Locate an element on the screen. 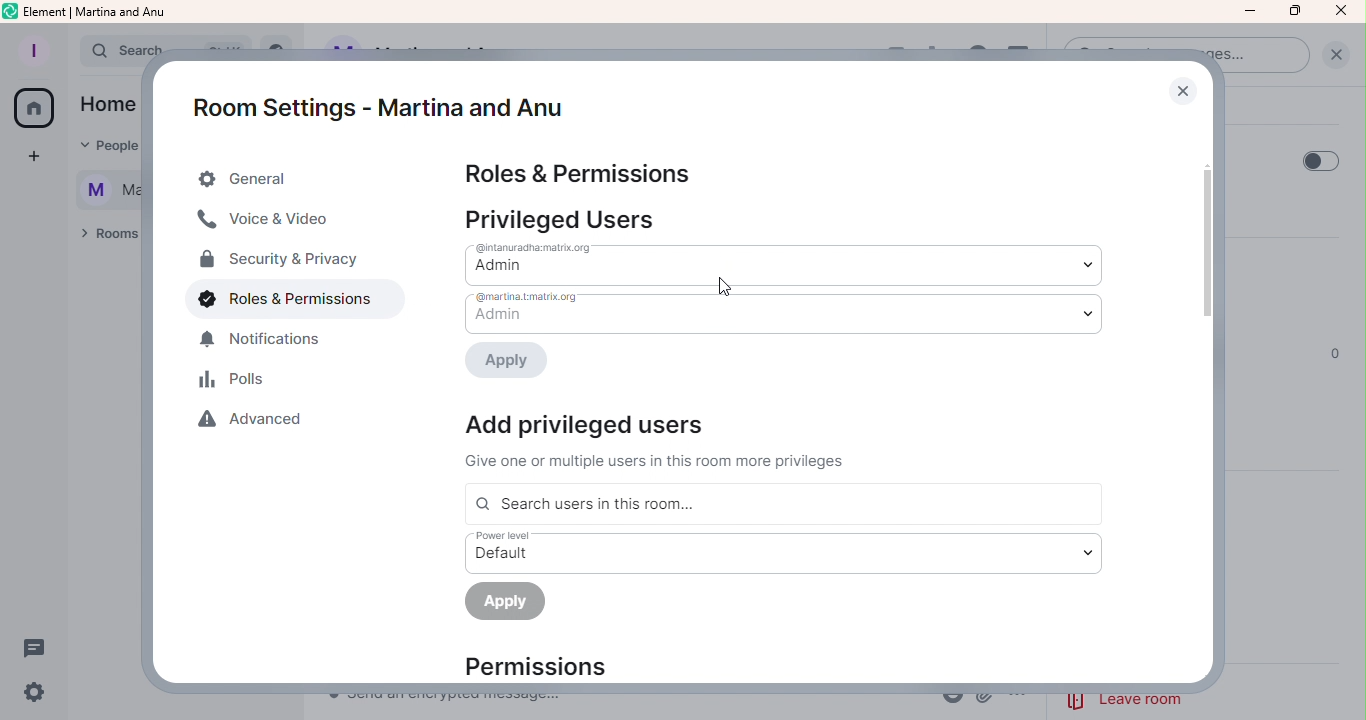 The width and height of the screenshot is (1366, 720). People is located at coordinates (108, 147).